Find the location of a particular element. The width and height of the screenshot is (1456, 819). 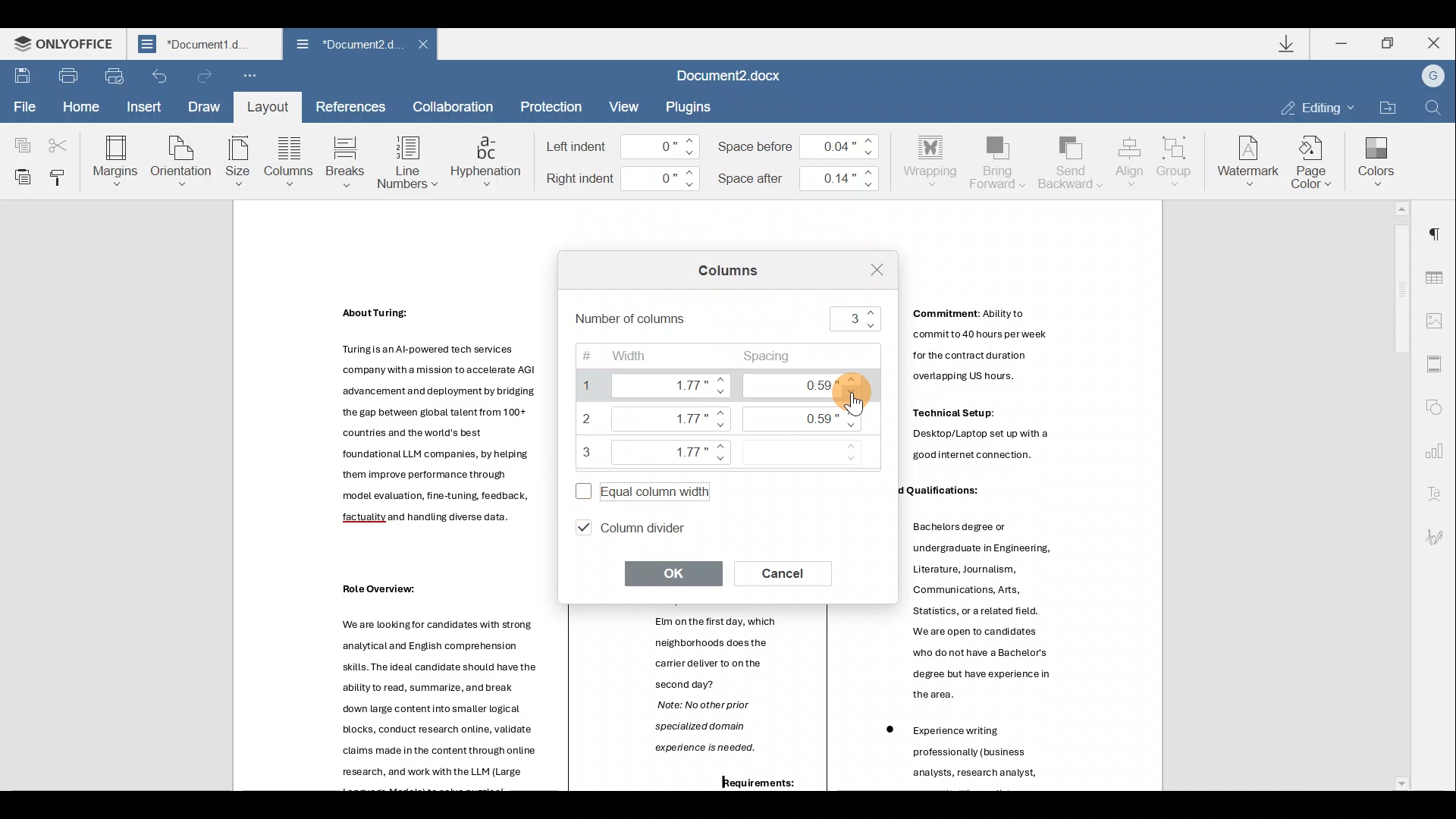

File is located at coordinates (22, 105).